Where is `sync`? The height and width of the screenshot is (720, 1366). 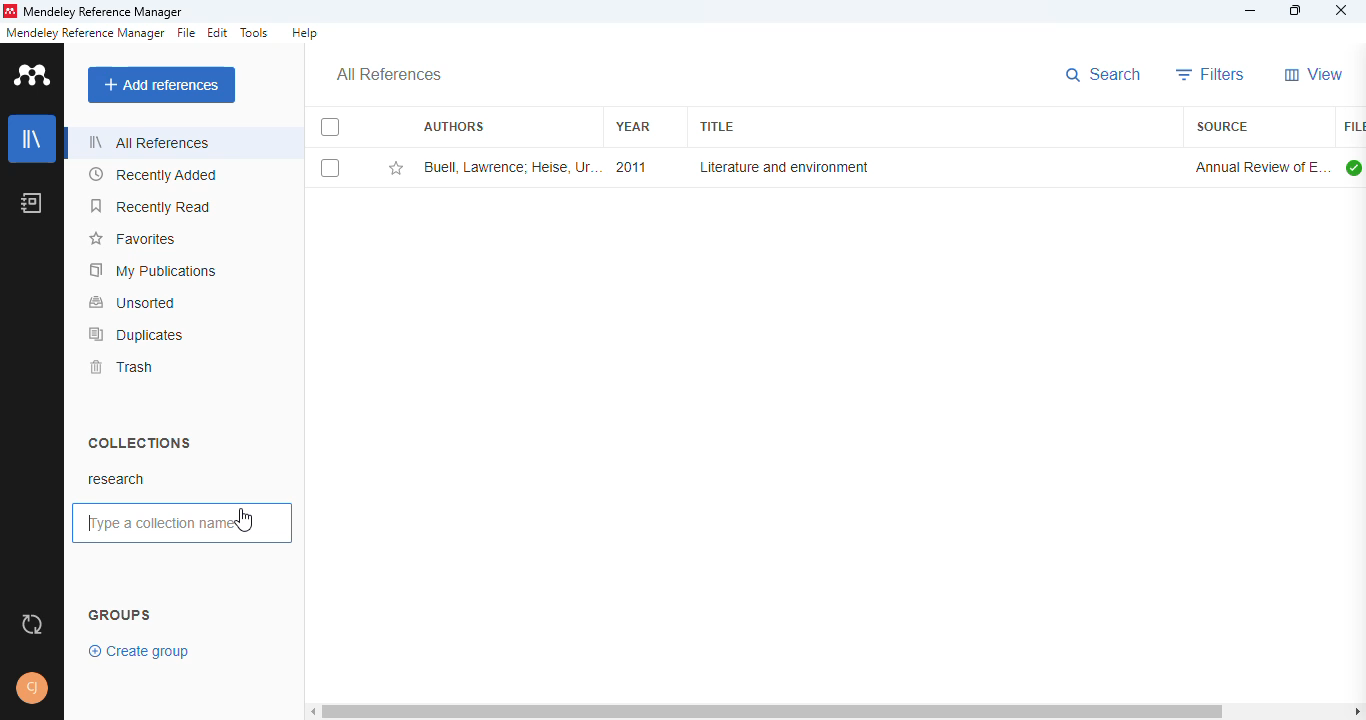
sync is located at coordinates (31, 625).